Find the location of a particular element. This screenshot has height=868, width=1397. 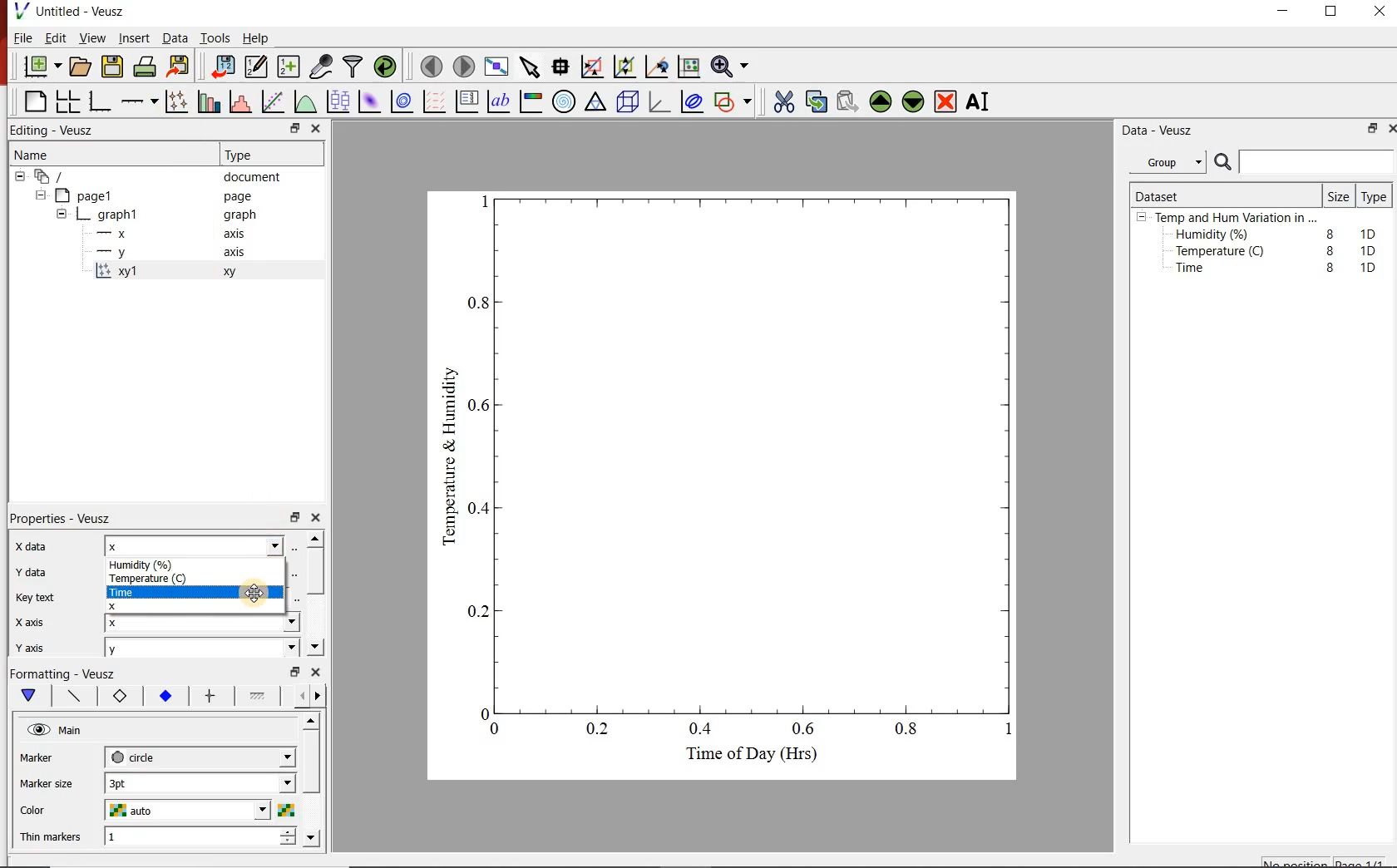

axis is located at coordinates (238, 254).